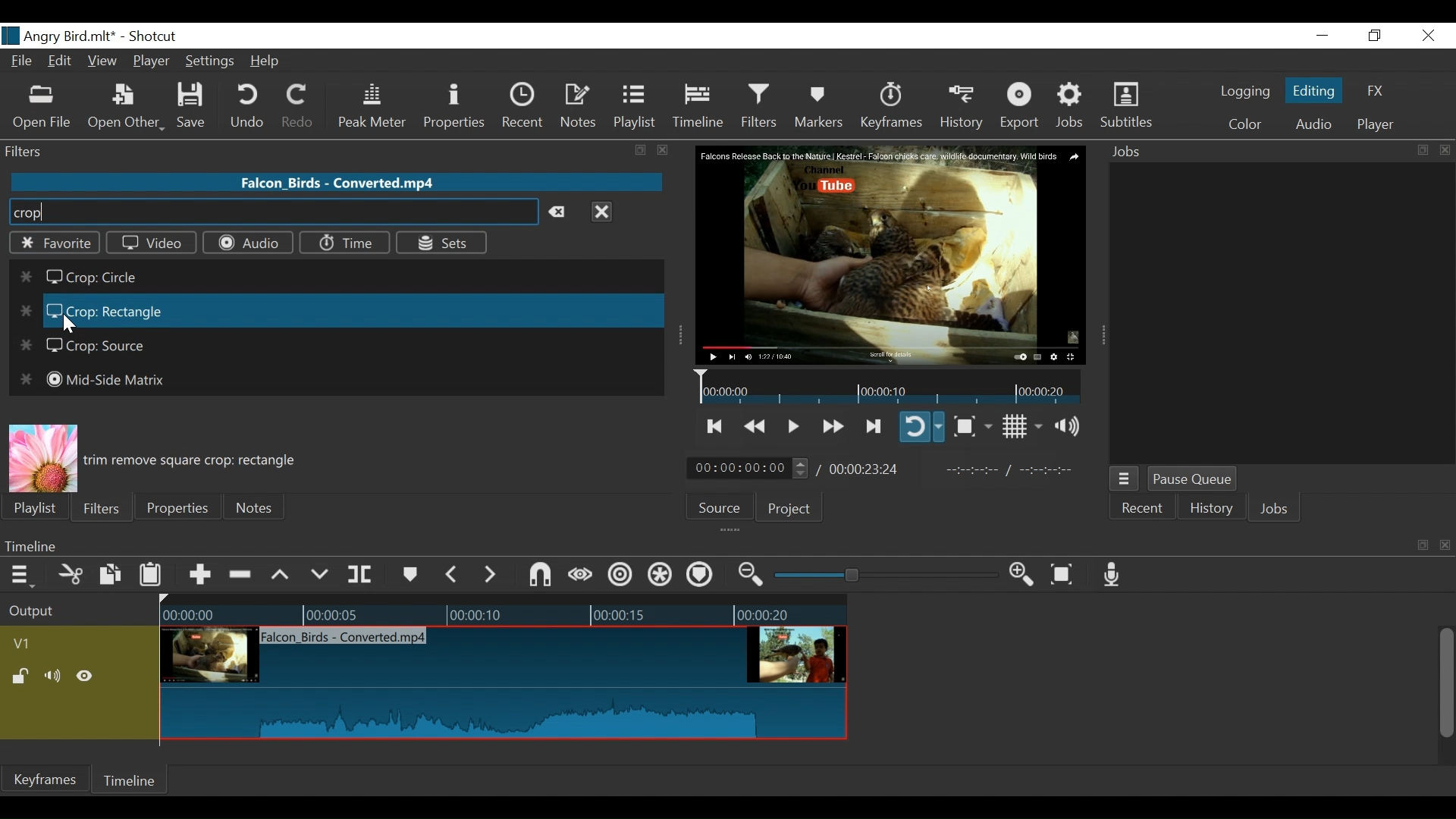 The height and width of the screenshot is (819, 1456). What do you see at coordinates (242, 576) in the screenshot?
I see `Remove cut` at bounding box center [242, 576].